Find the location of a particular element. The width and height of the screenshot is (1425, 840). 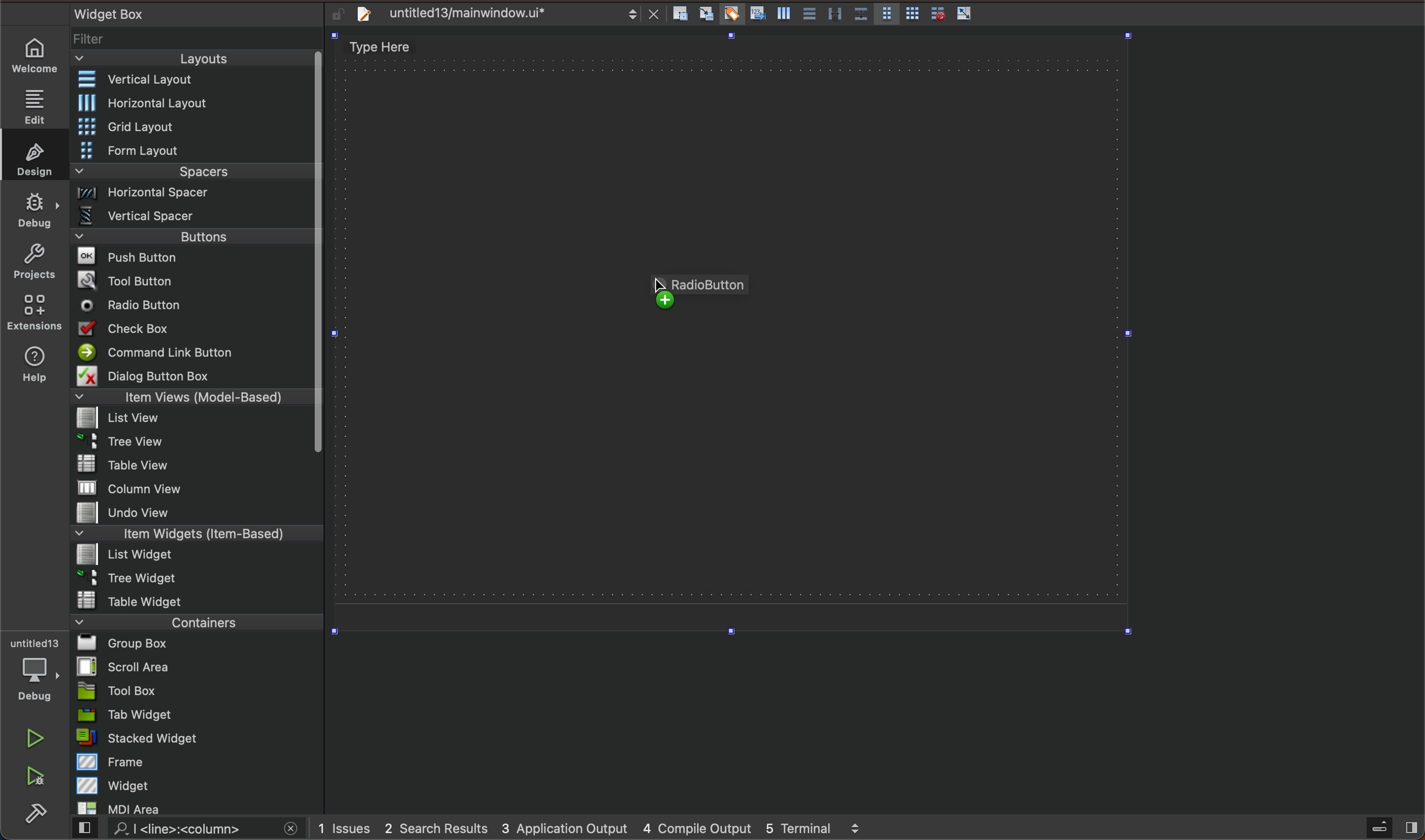

list view is located at coordinates (190, 422).